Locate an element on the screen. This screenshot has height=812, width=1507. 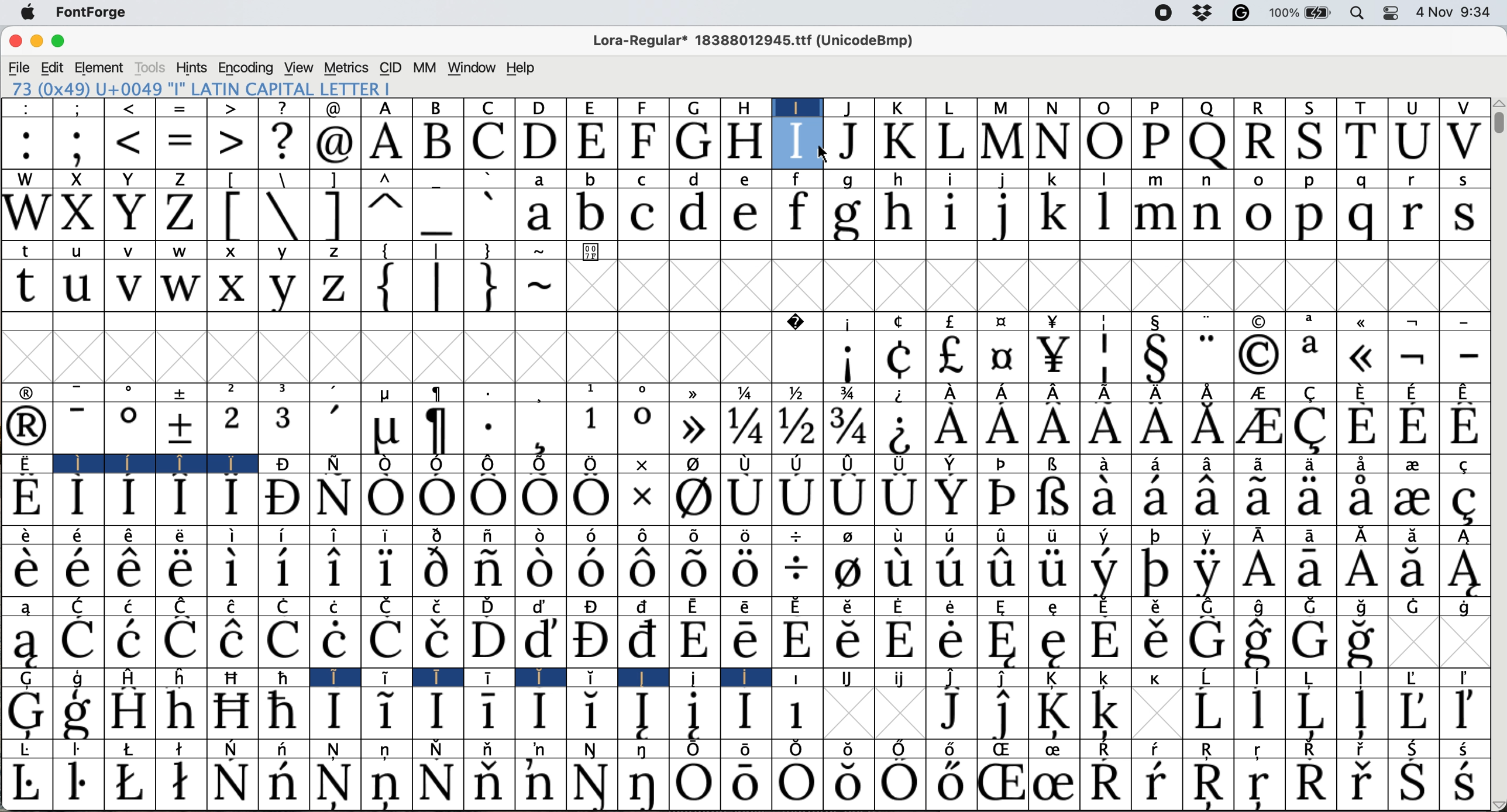
Symbol is located at coordinates (1158, 357).